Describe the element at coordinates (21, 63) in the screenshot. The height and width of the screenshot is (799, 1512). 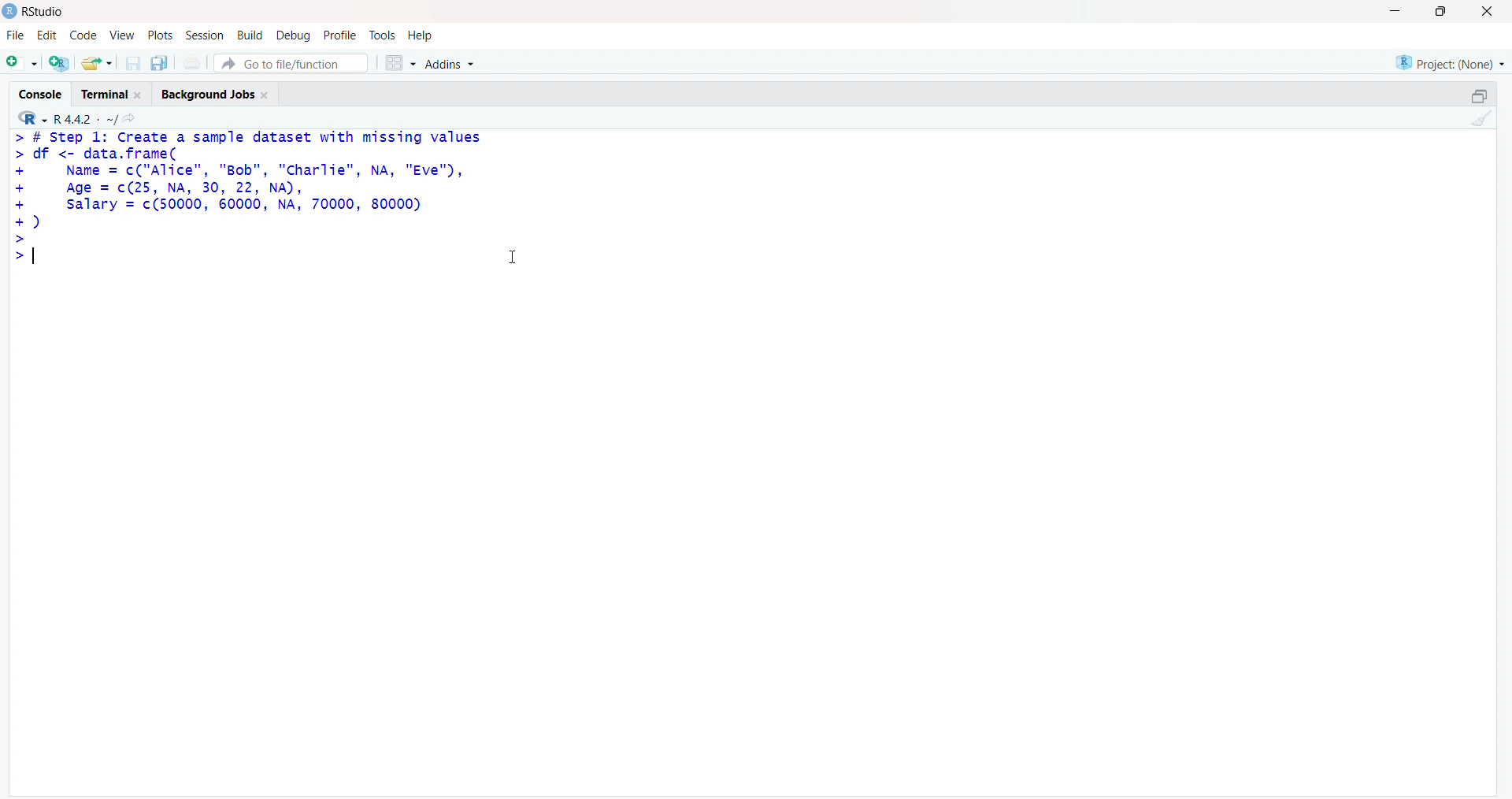
I see `New File` at that location.